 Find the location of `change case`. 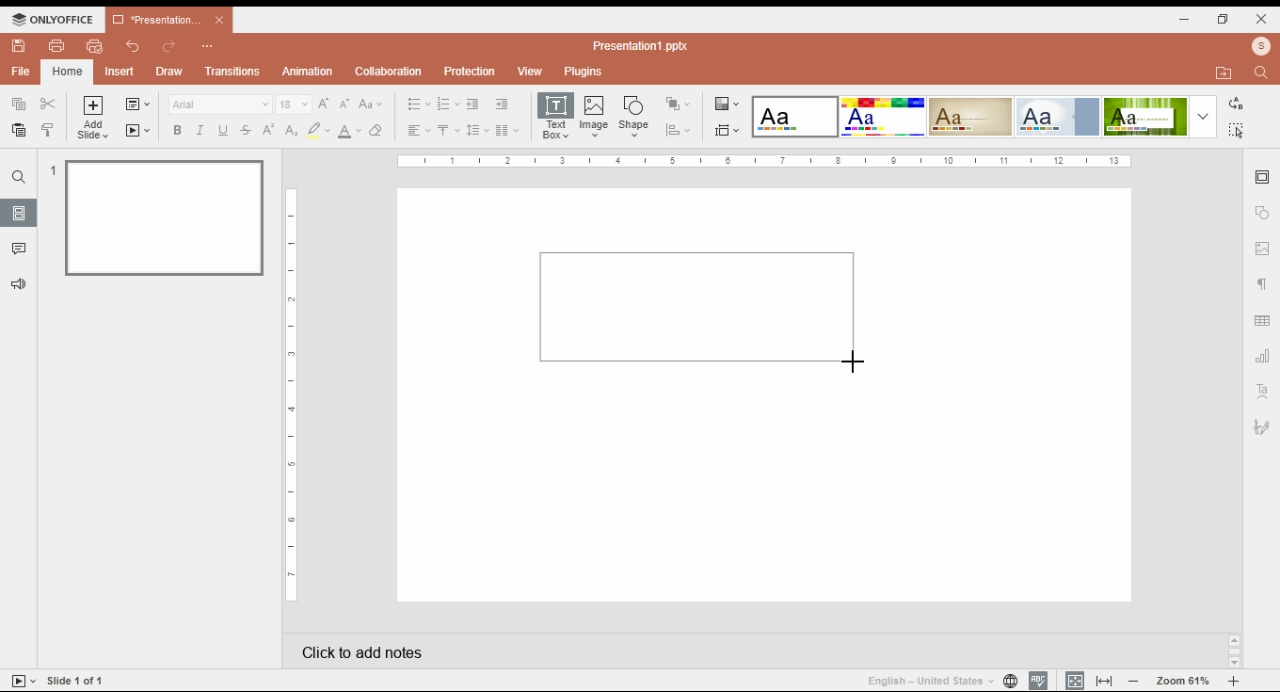

change case is located at coordinates (370, 104).